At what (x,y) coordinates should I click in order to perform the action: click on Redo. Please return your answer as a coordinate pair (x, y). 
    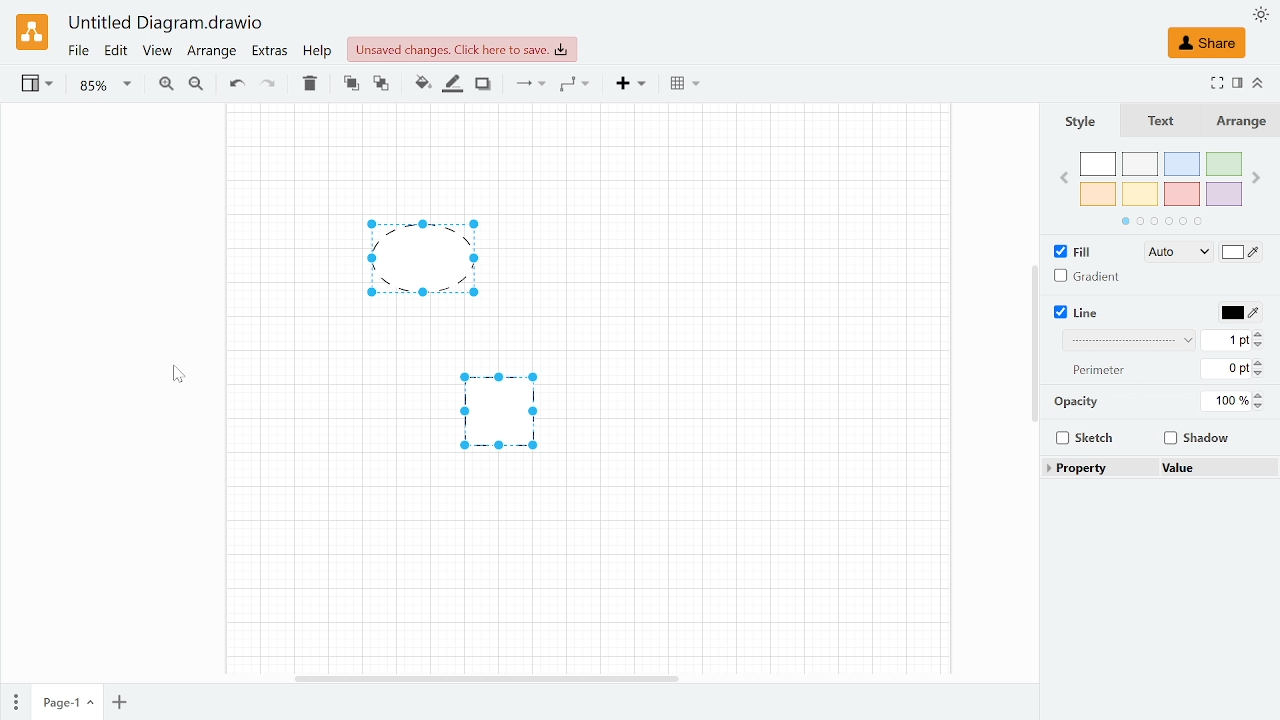
    Looking at the image, I should click on (268, 85).